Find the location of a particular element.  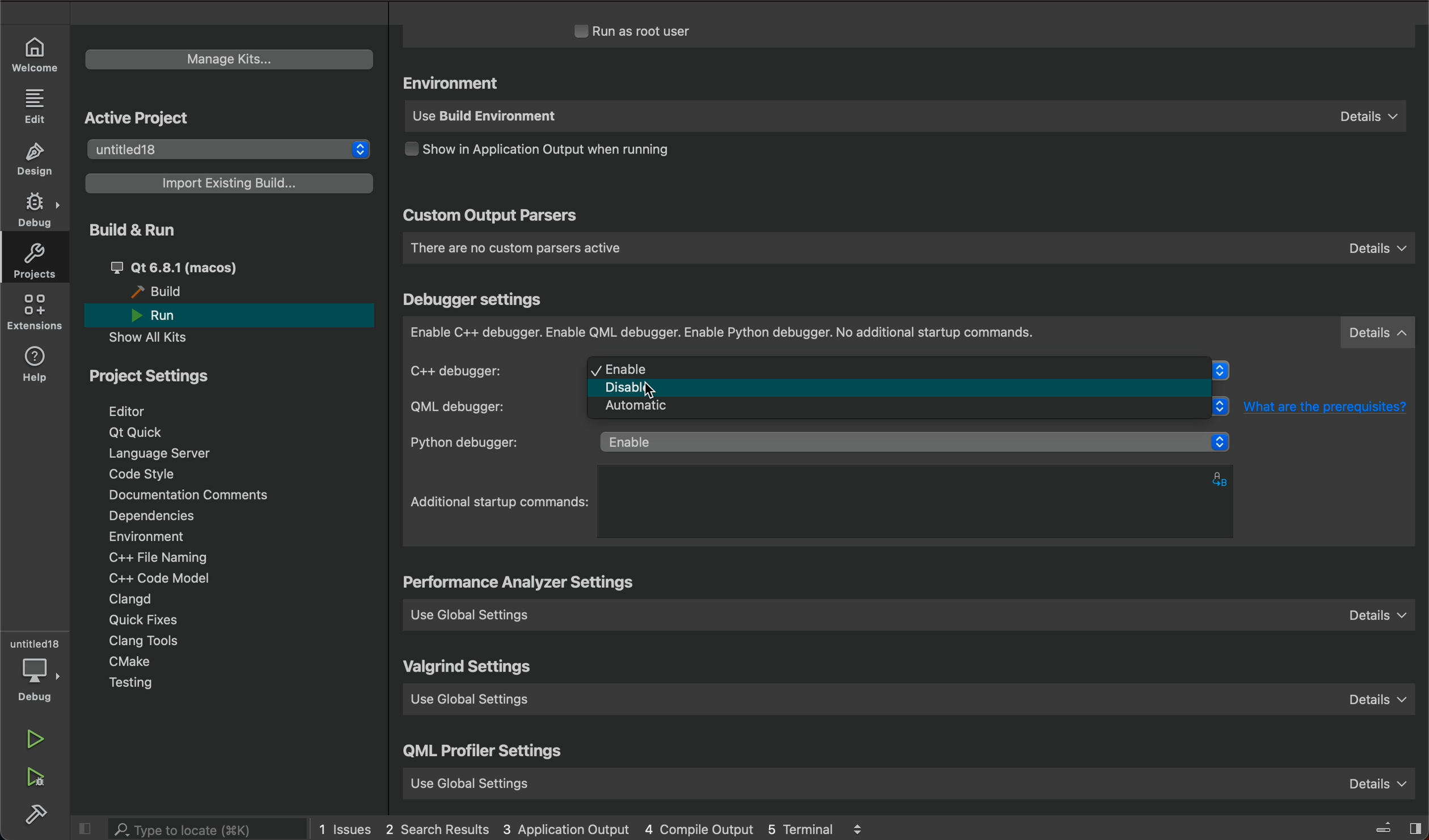

debugger settings is located at coordinates (475, 300).